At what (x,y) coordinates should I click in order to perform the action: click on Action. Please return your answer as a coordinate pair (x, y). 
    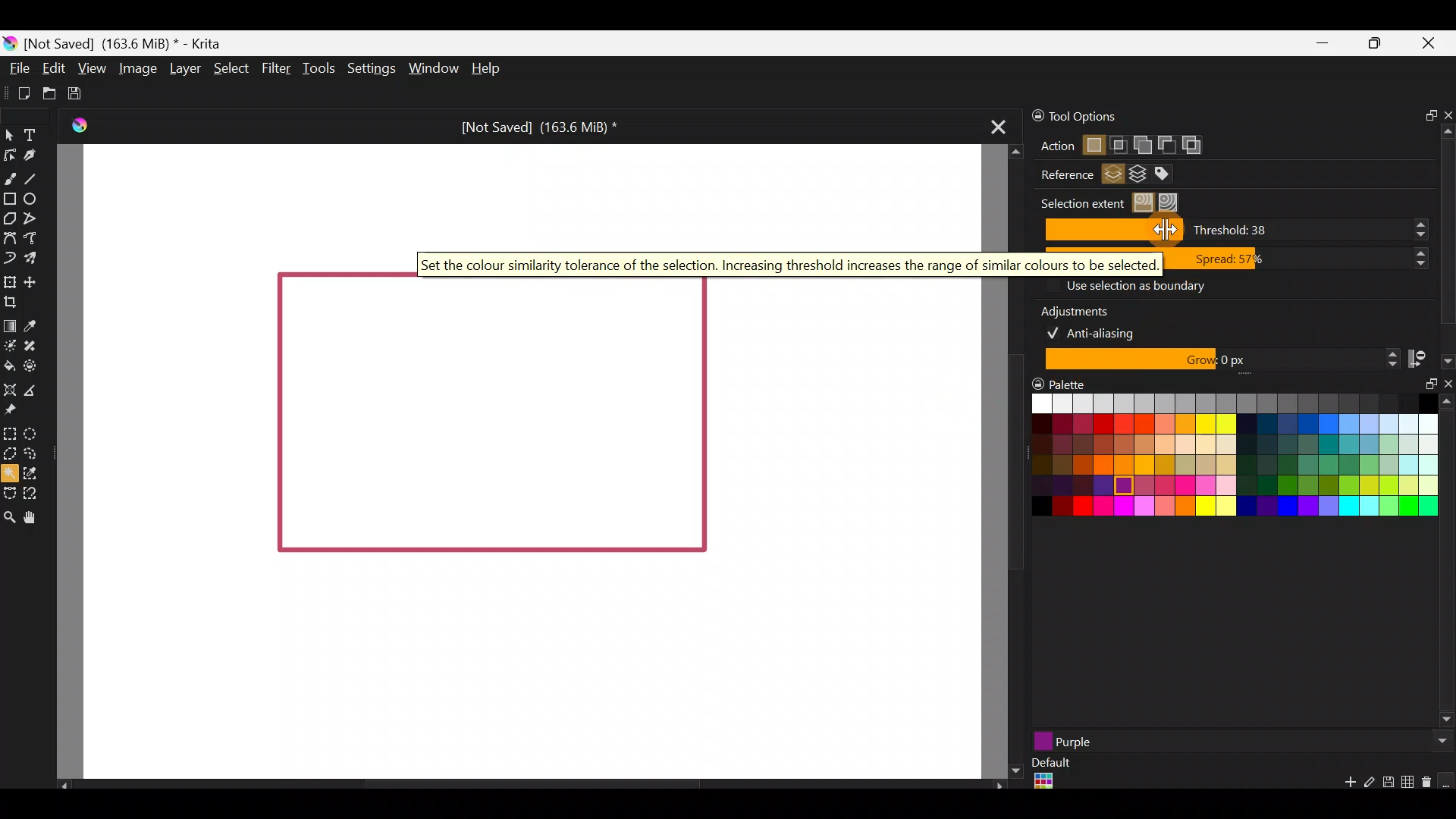
    Looking at the image, I should click on (1050, 146).